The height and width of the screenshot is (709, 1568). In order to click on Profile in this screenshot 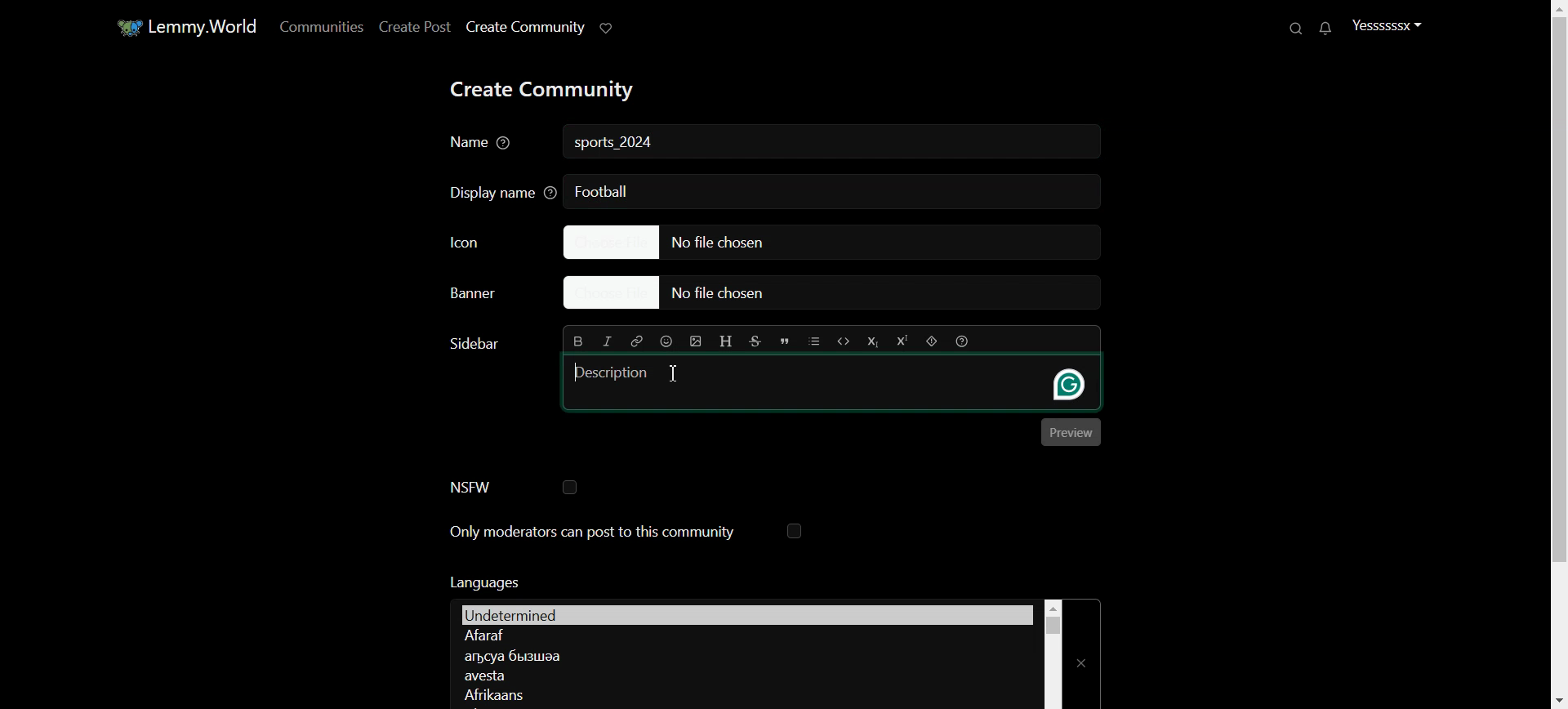, I will do `click(1387, 25)`.